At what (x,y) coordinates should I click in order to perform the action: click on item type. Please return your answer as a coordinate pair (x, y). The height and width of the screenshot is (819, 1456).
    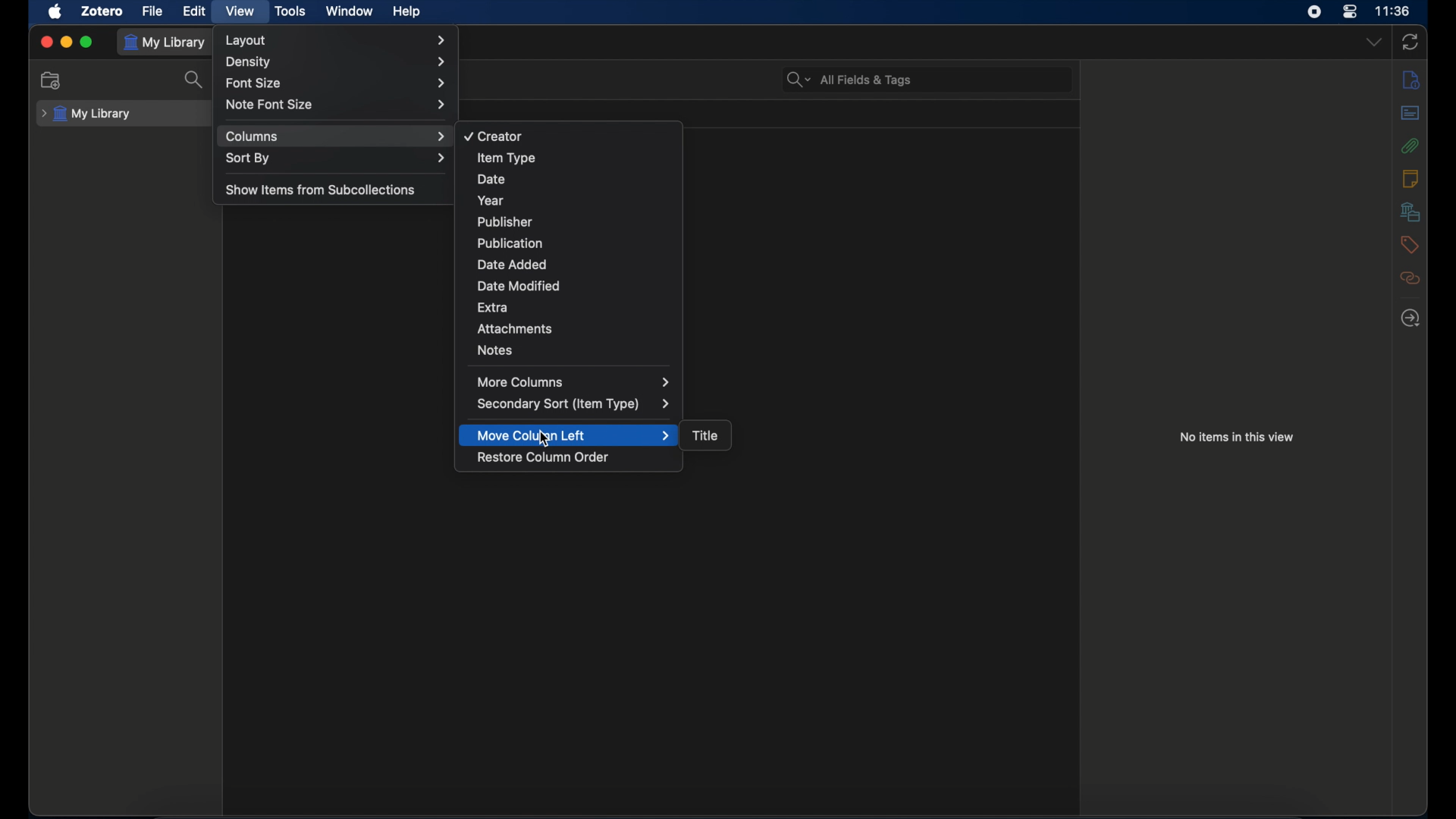
    Looking at the image, I should click on (506, 158).